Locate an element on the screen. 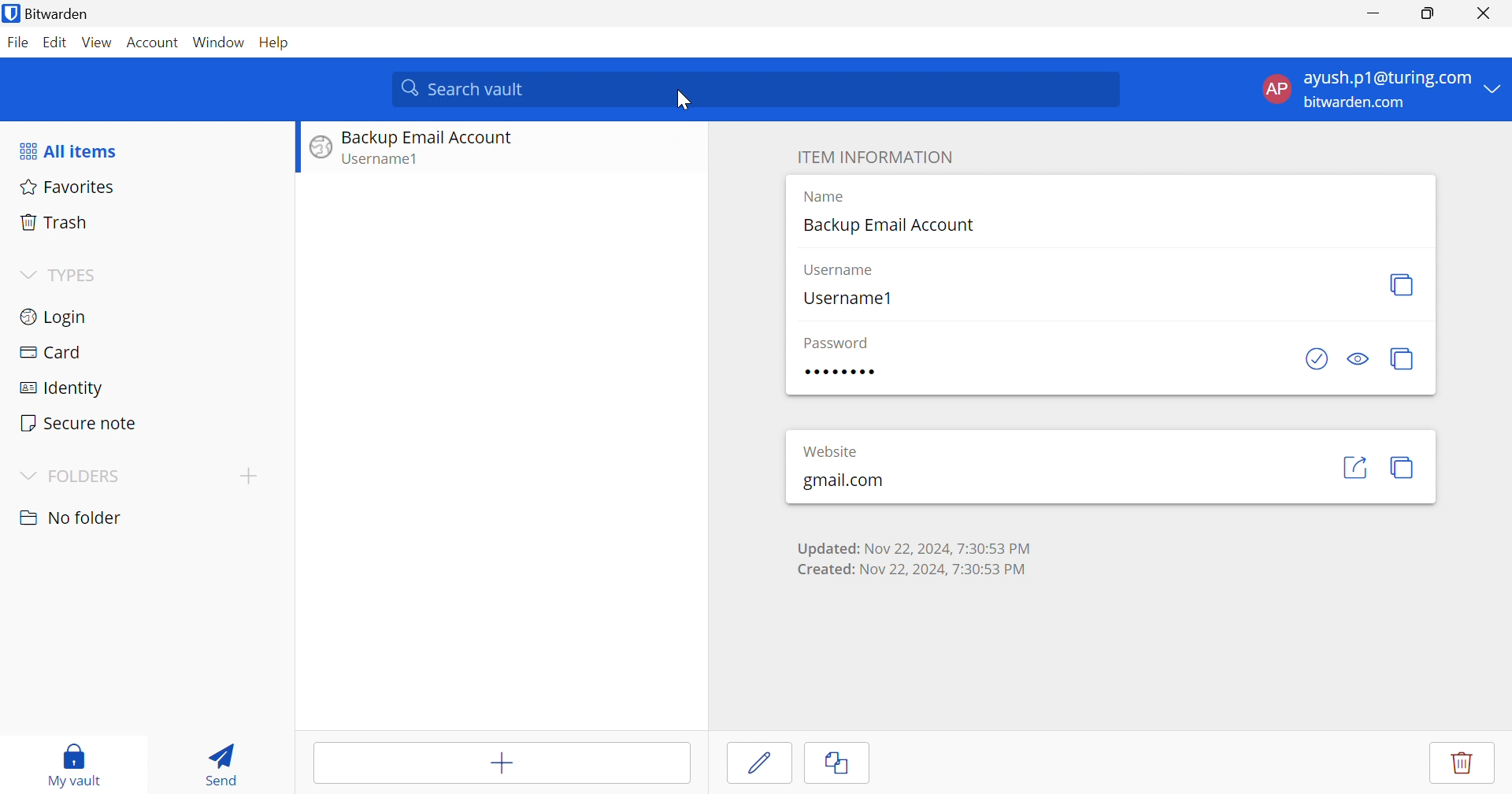 This screenshot has width=1512, height=794. Identity is located at coordinates (56, 390).